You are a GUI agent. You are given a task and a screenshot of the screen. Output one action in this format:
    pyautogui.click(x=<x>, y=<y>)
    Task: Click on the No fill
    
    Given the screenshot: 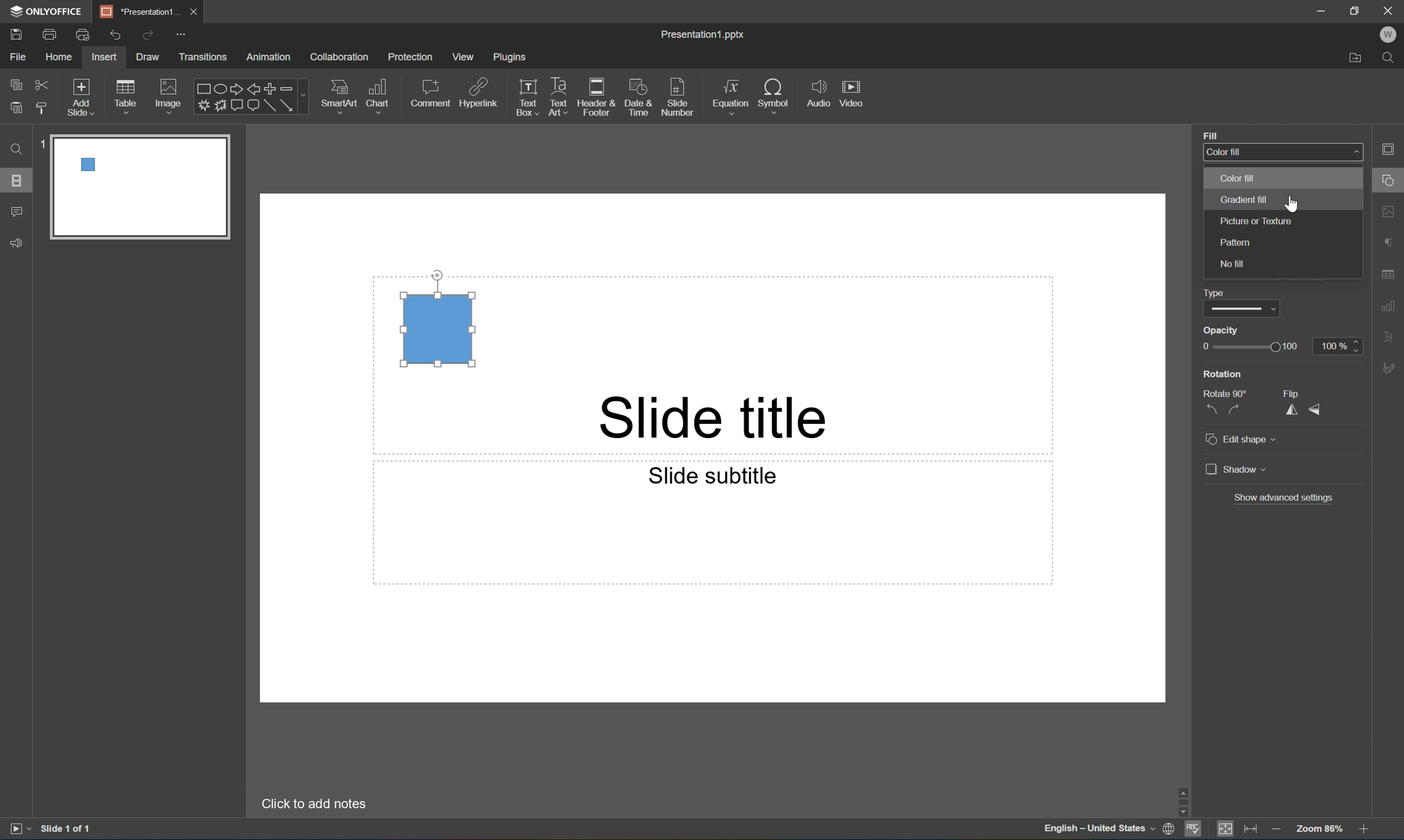 What is the action you would take?
    pyautogui.click(x=1230, y=263)
    